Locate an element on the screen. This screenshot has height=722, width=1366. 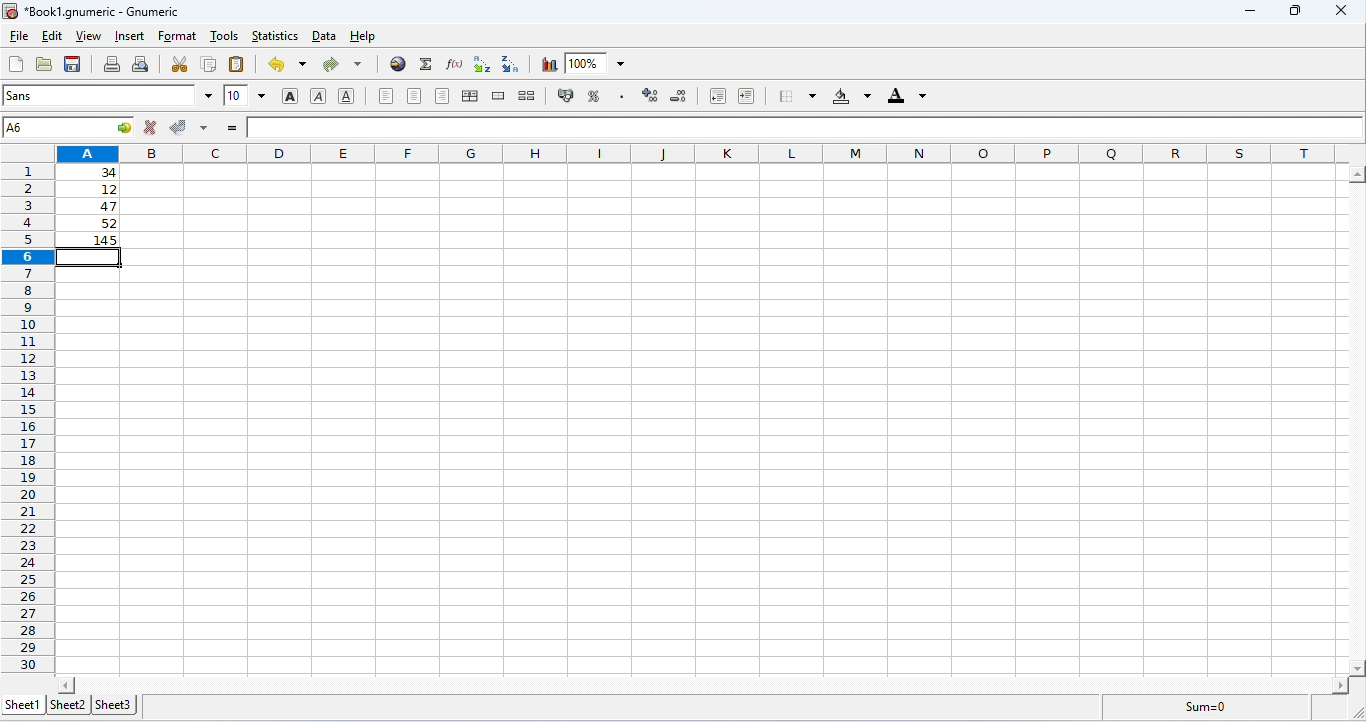
decrease decimal is located at coordinates (680, 96).